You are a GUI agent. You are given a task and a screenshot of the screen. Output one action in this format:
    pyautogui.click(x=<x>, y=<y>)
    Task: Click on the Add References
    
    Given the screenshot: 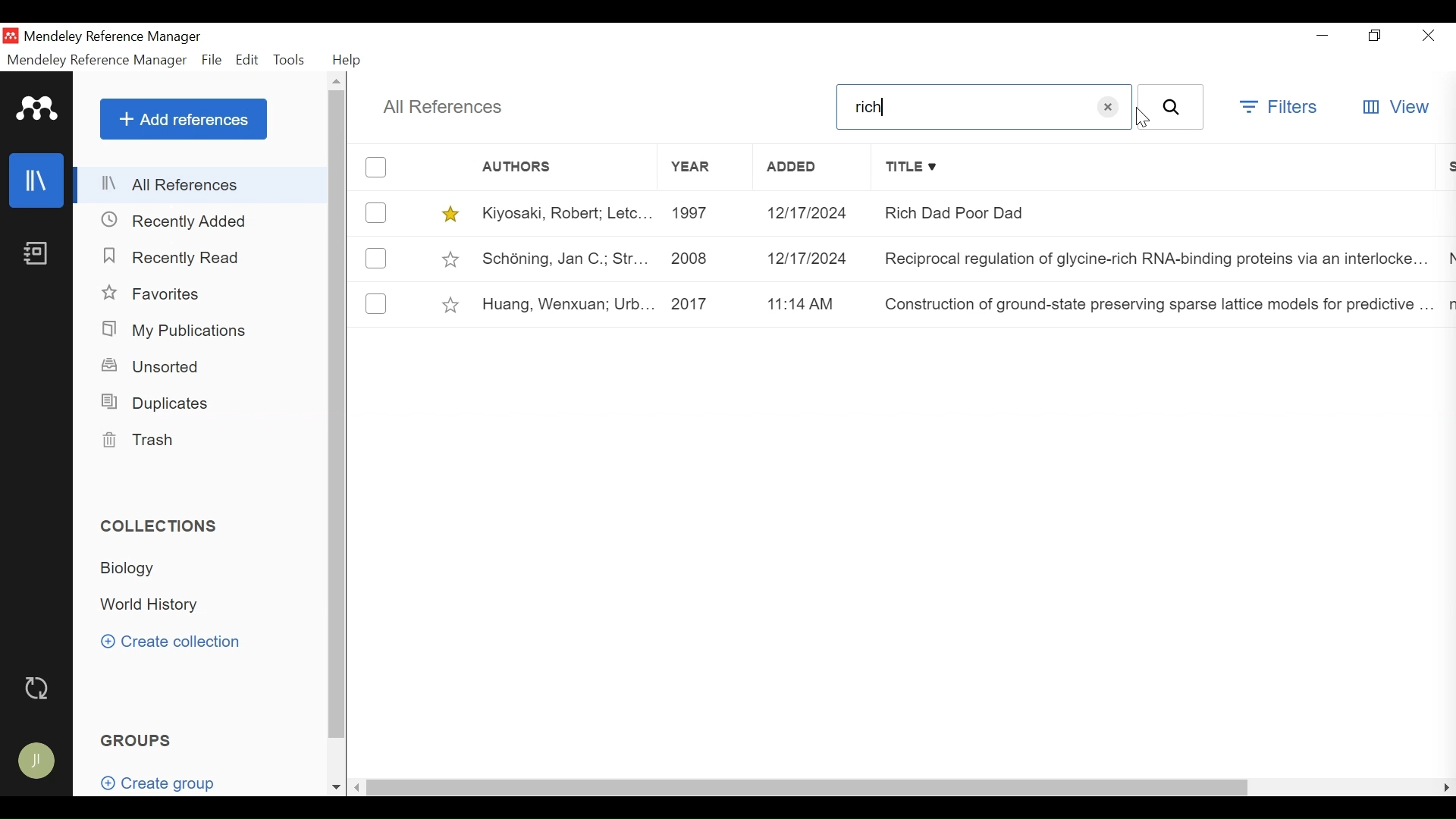 What is the action you would take?
    pyautogui.click(x=183, y=118)
    